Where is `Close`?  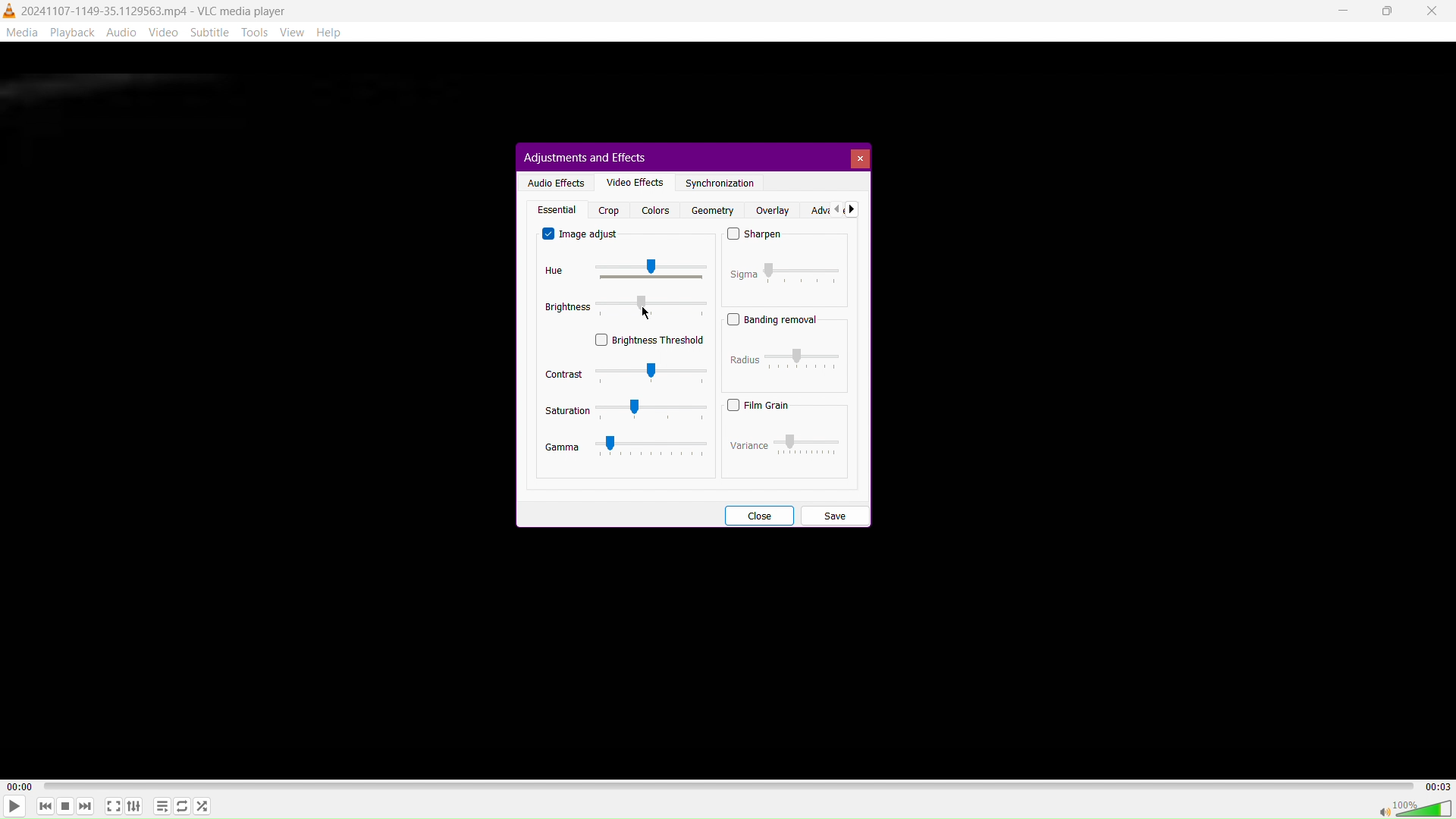 Close is located at coordinates (758, 514).